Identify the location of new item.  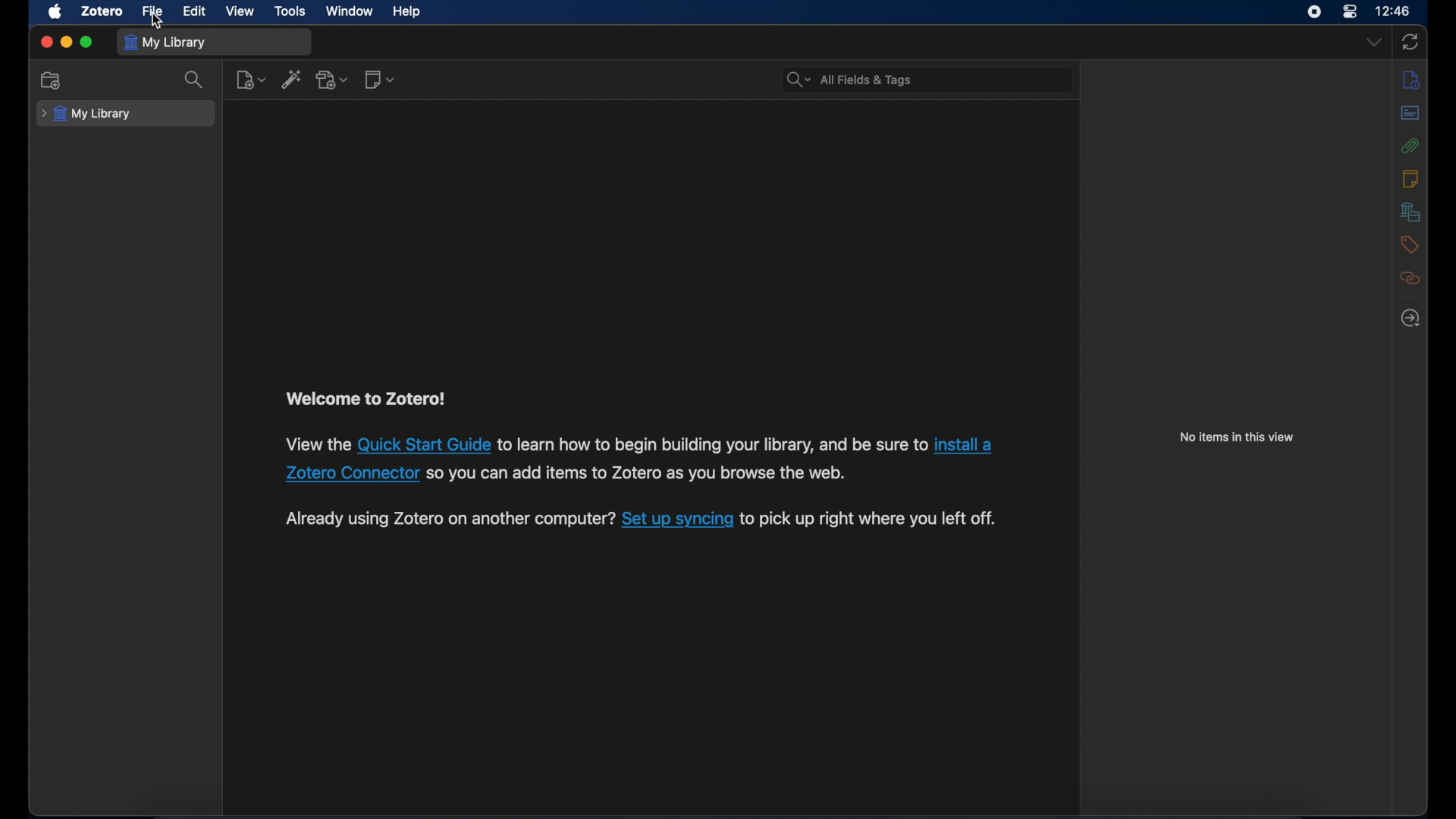
(251, 80).